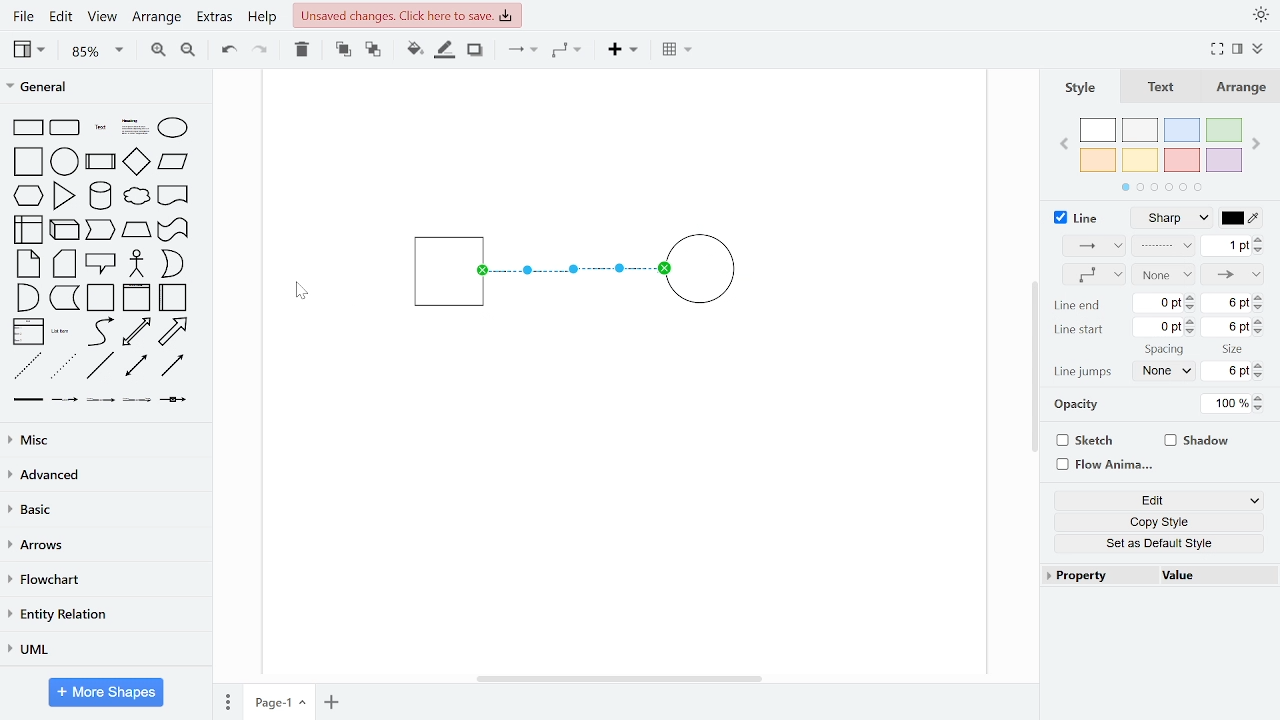  What do you see at coordinates (102, 439) in the screenshot?
I see `misc` at bounding box center [102, 439].